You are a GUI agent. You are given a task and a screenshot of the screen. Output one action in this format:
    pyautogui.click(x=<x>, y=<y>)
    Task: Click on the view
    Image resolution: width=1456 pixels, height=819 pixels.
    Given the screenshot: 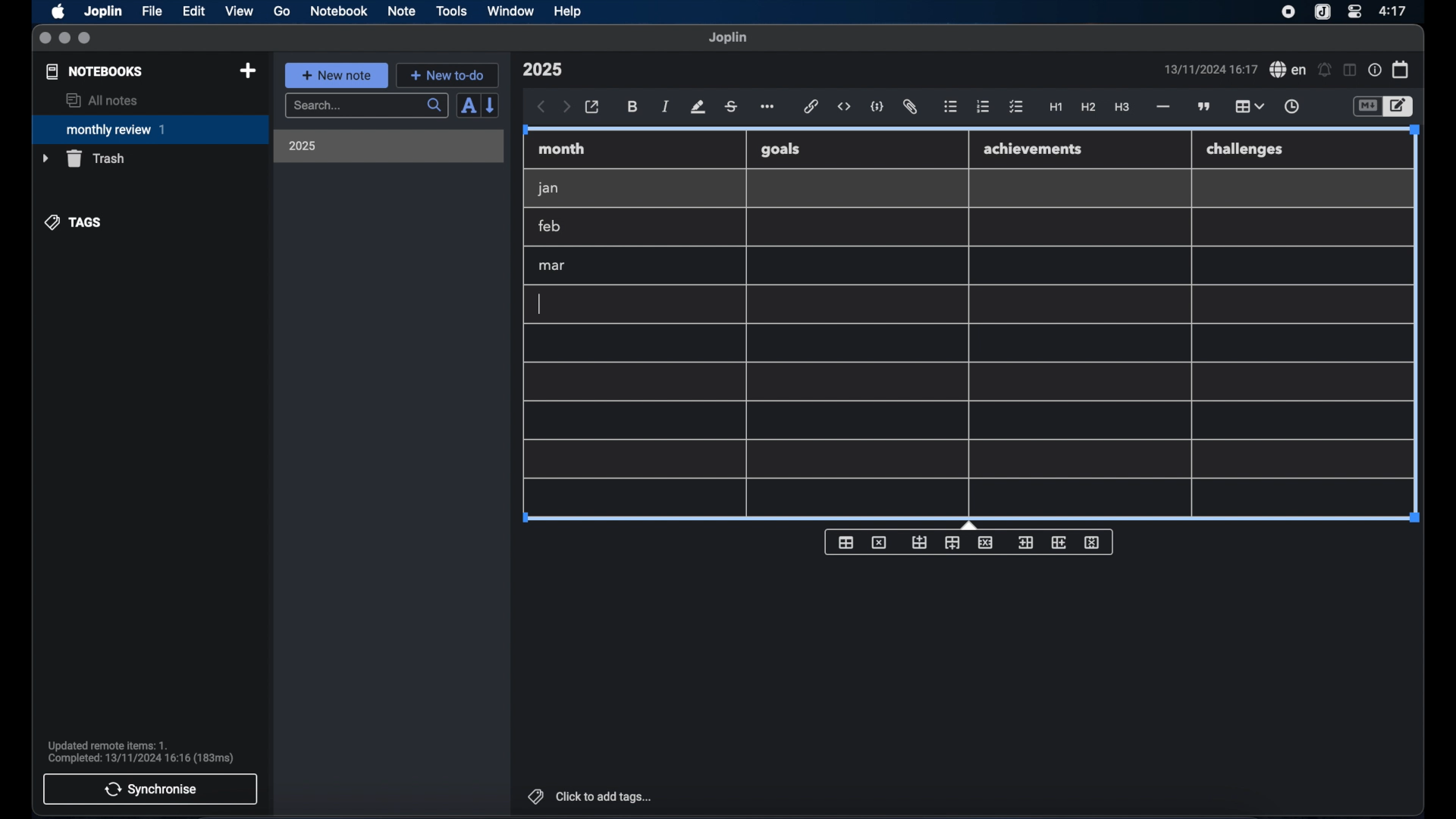 What is the action you would take?
    pyautogui.click(x=239, y=11)
    